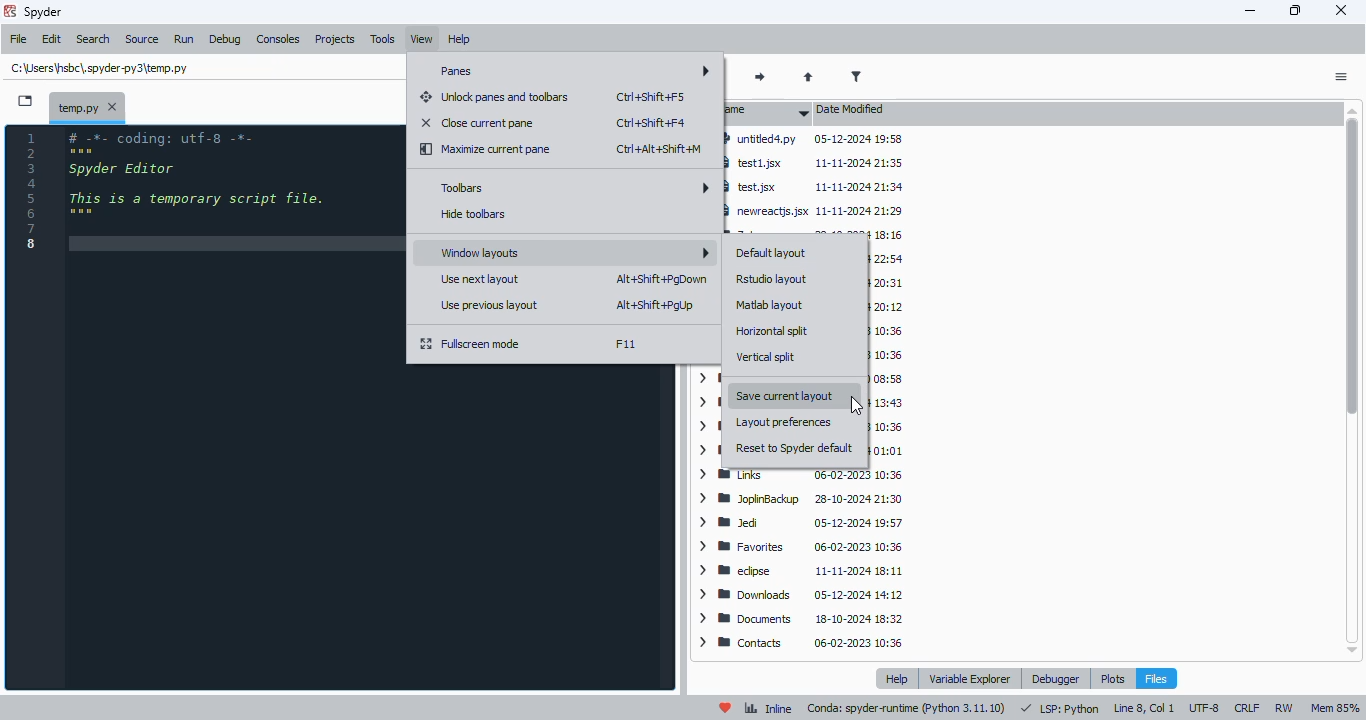 The height and width of the screenshot is (720, 1366). What do you see at coordinates (185, 40) in the screenshot?
I see `run` at bounding box center [185, 40].